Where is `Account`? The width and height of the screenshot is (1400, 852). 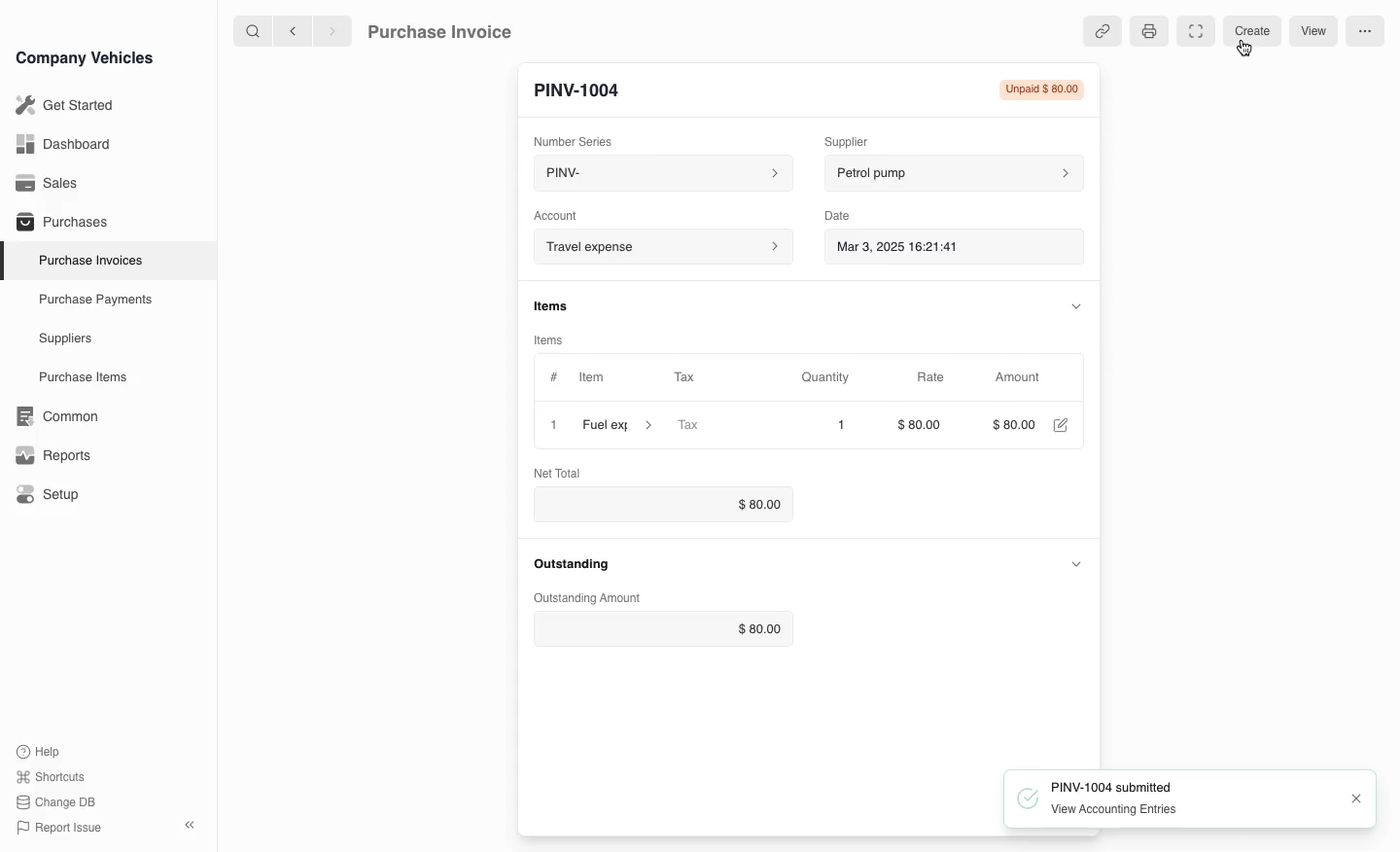
Account is located at coordinates (556, 214).